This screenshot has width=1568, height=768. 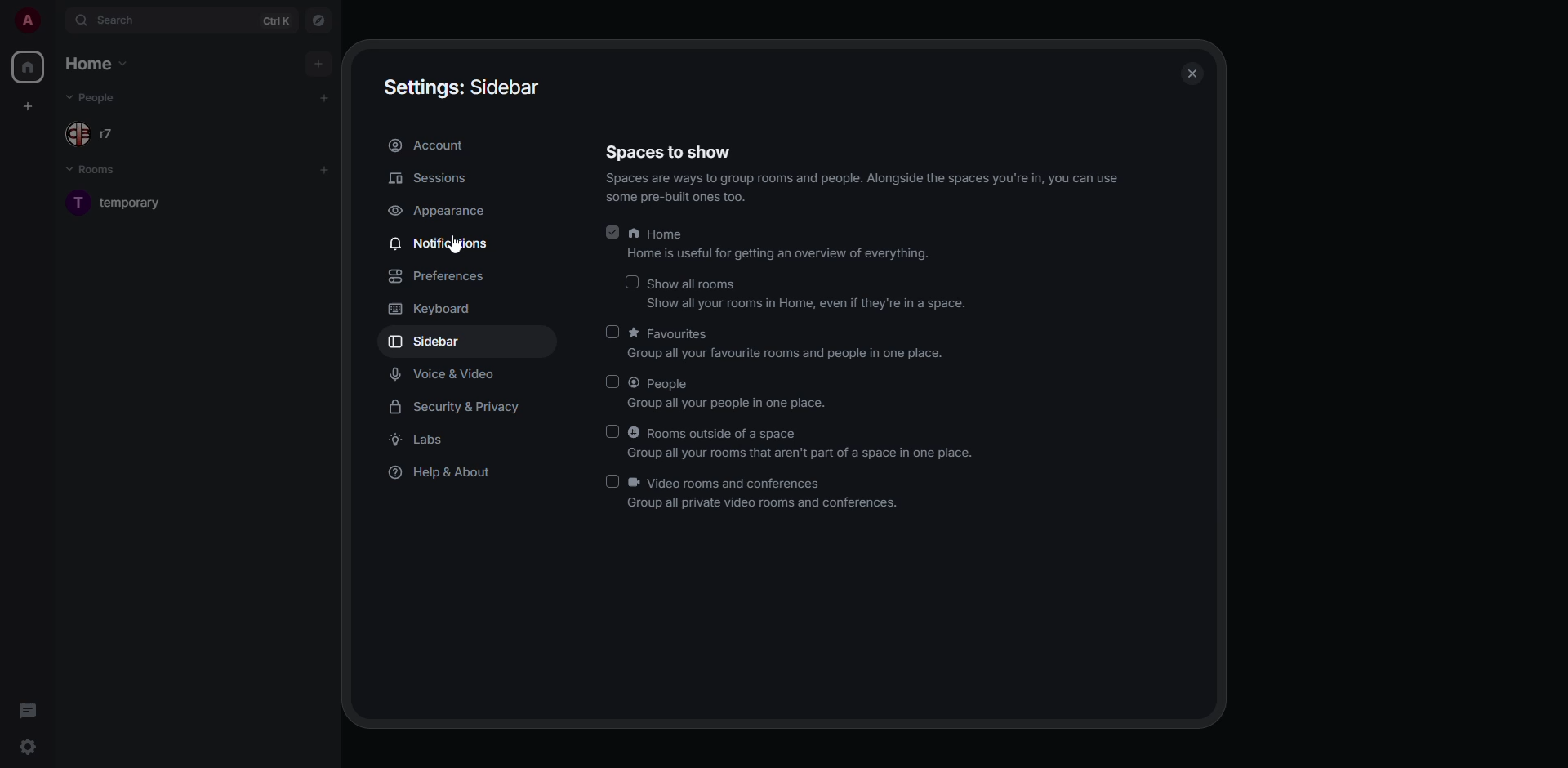 I want to click on preferences, so click(x=439, y=276).